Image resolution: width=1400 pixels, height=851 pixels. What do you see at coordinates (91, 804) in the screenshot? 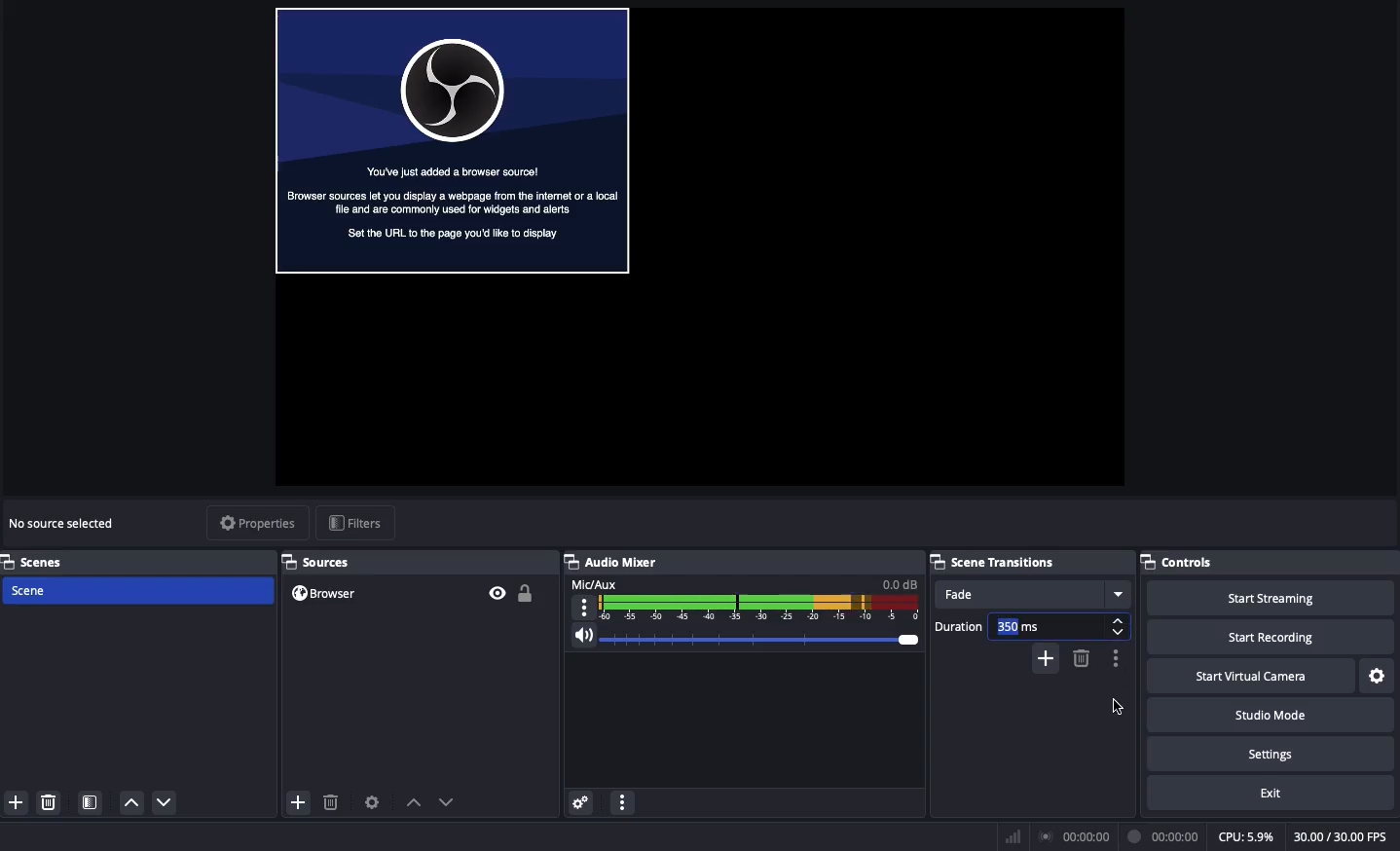
I see `Scene filter` at bounding box center [91, 804].